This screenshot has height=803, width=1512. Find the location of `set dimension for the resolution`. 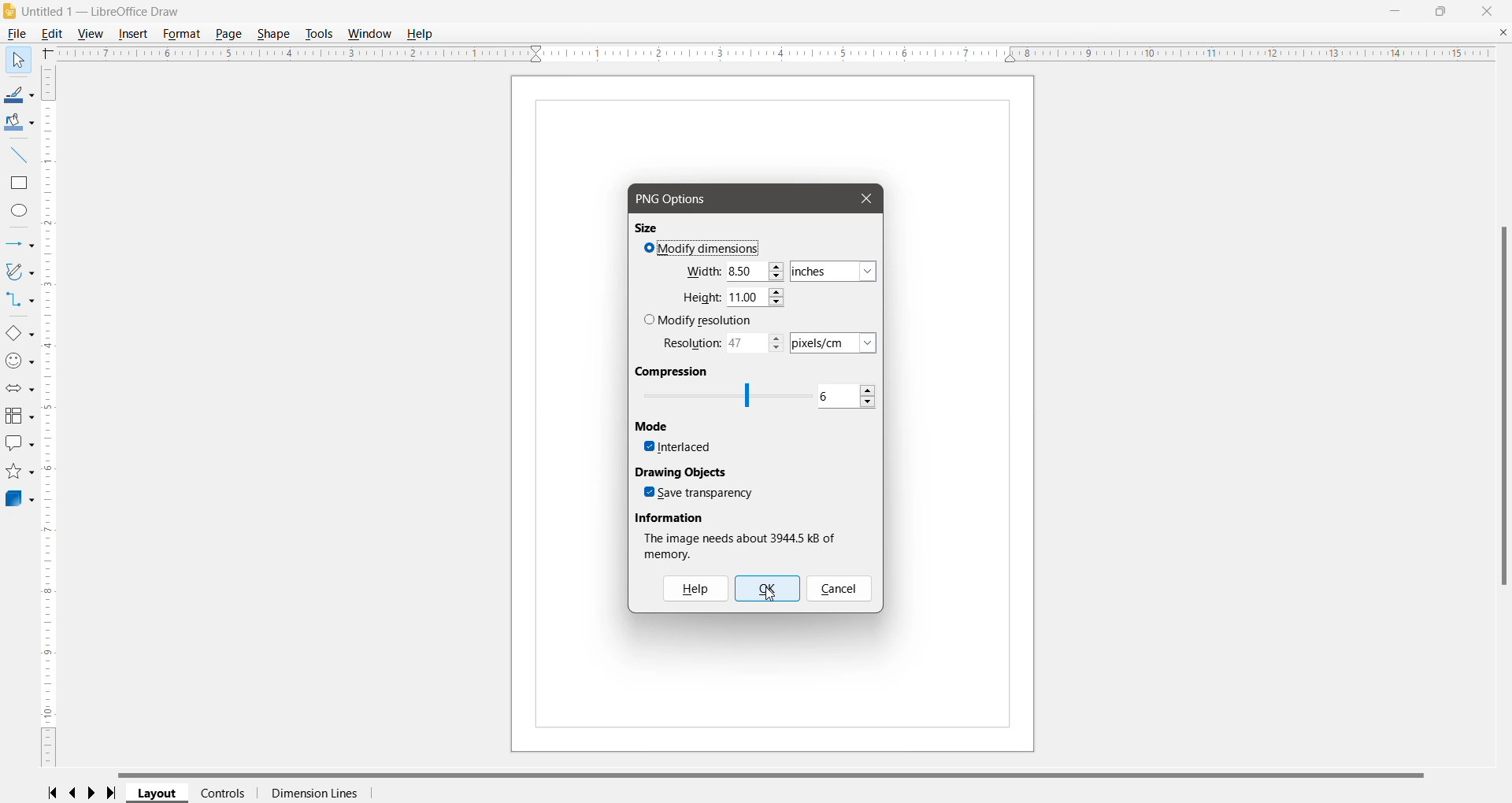

set dimension for the resolution is located at coordinates (834, 344).